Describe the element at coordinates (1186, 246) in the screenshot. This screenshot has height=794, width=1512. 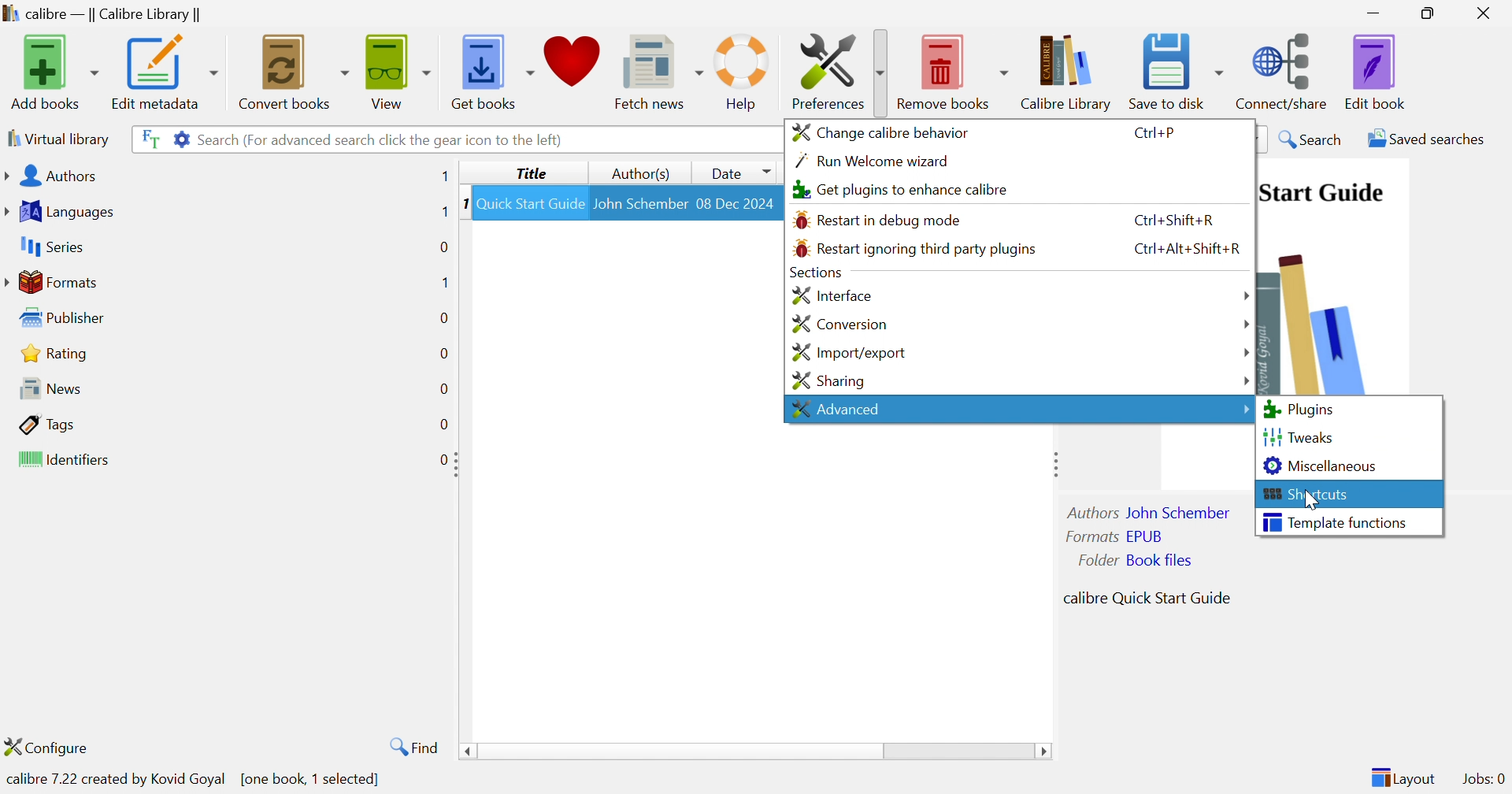
I see `Ctrl+Shift+Alt+R` at that location.